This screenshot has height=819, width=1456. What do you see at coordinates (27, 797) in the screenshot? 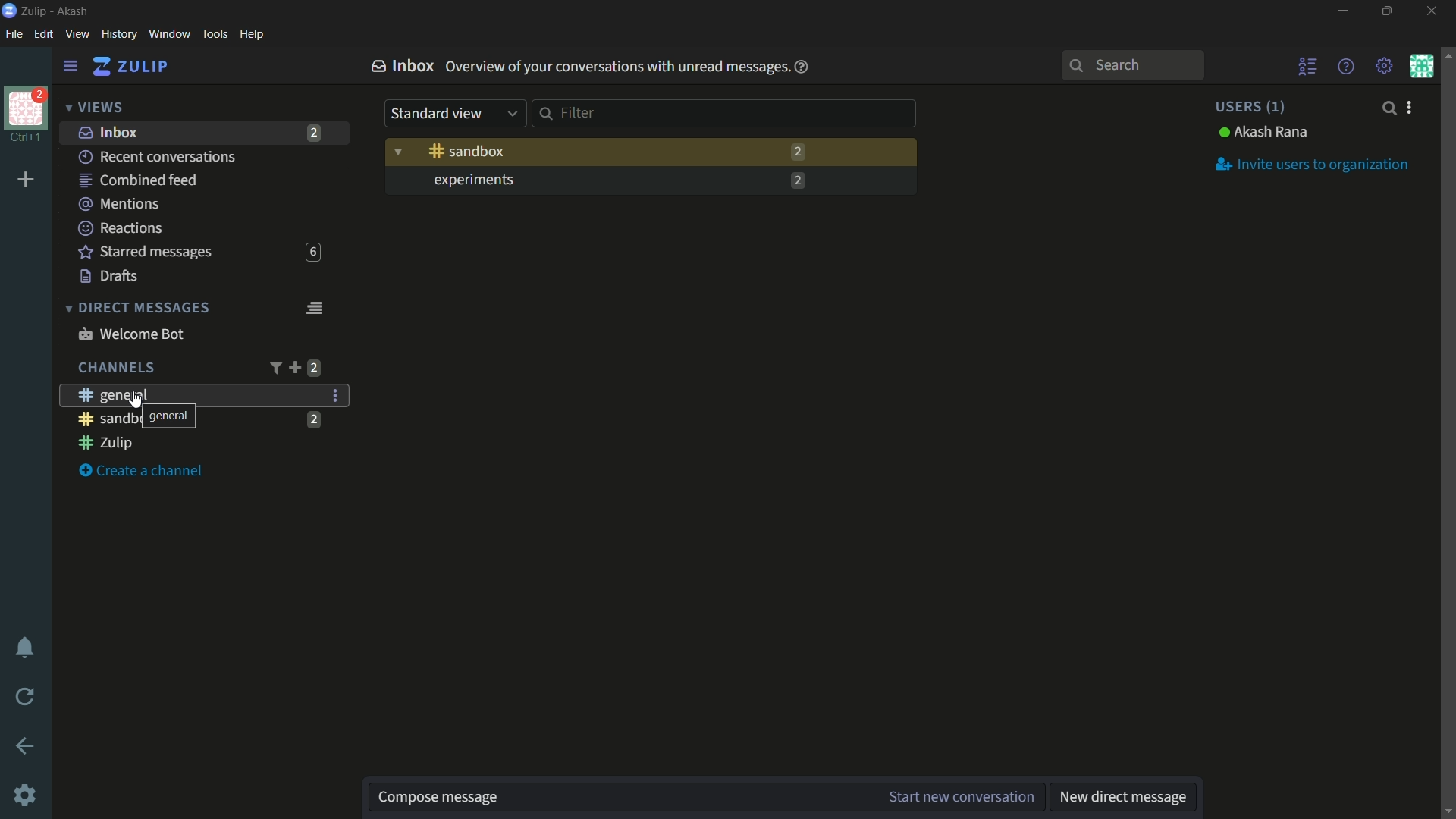
I see `settings` at bounding box center [27, 797].